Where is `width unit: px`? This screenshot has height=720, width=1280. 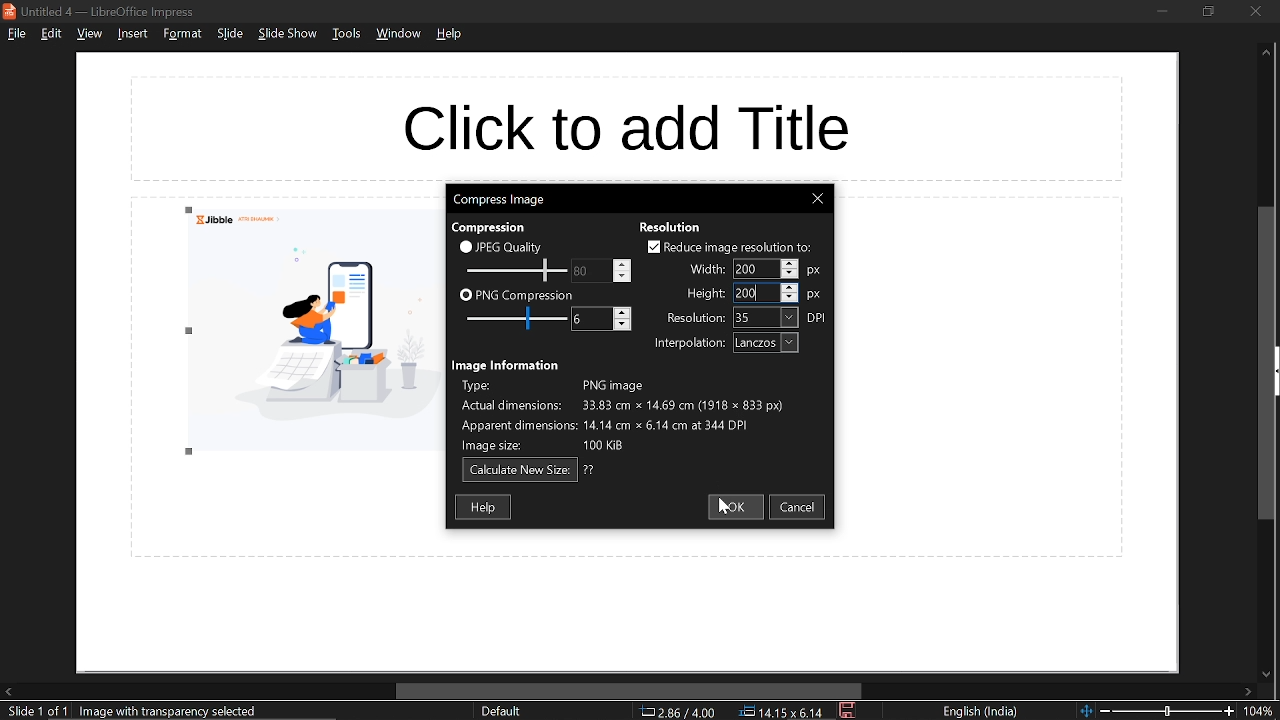 width unit: px is located at coordinates (815, 271).